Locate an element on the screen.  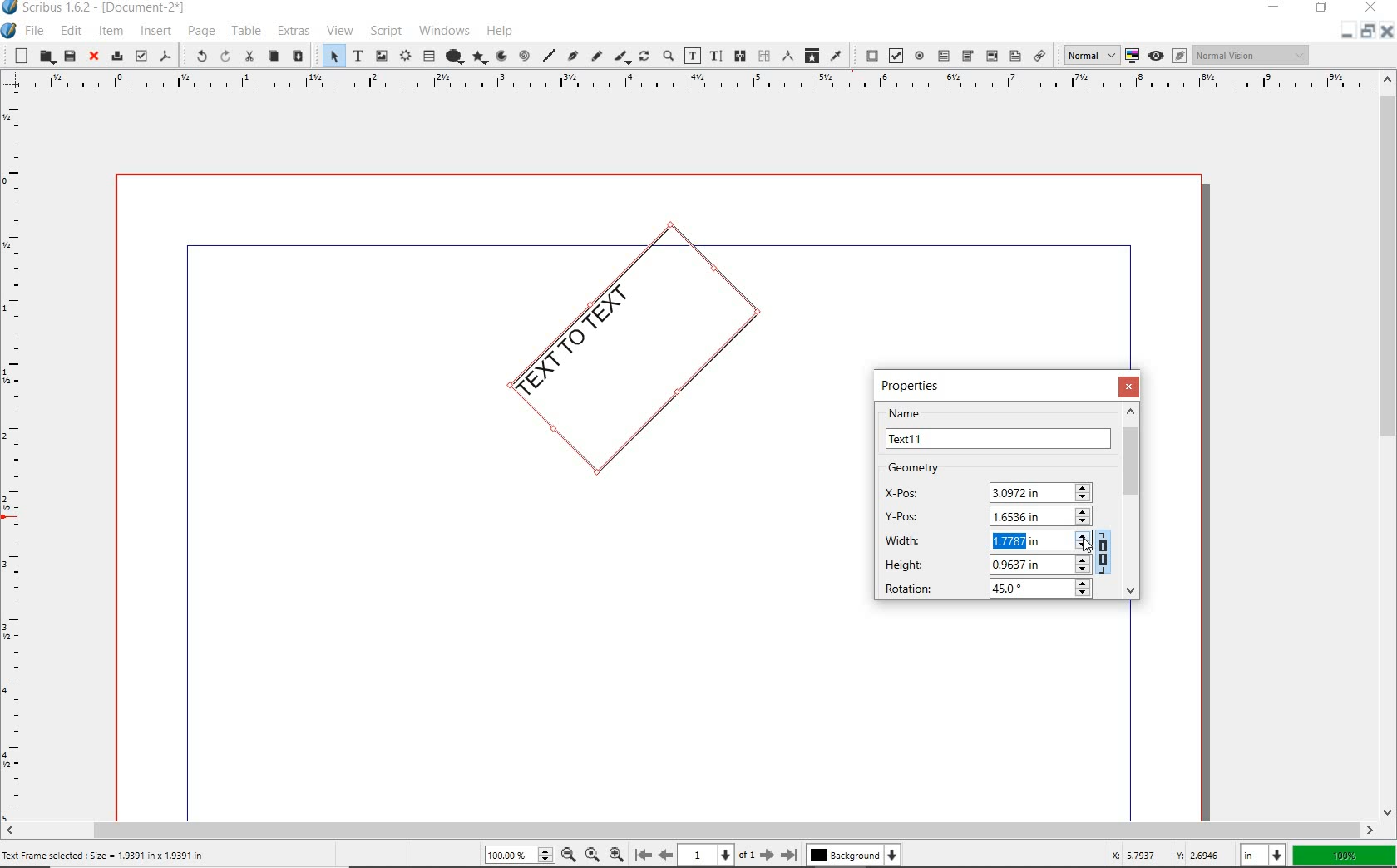
close is located at coordinates (1388, 36).